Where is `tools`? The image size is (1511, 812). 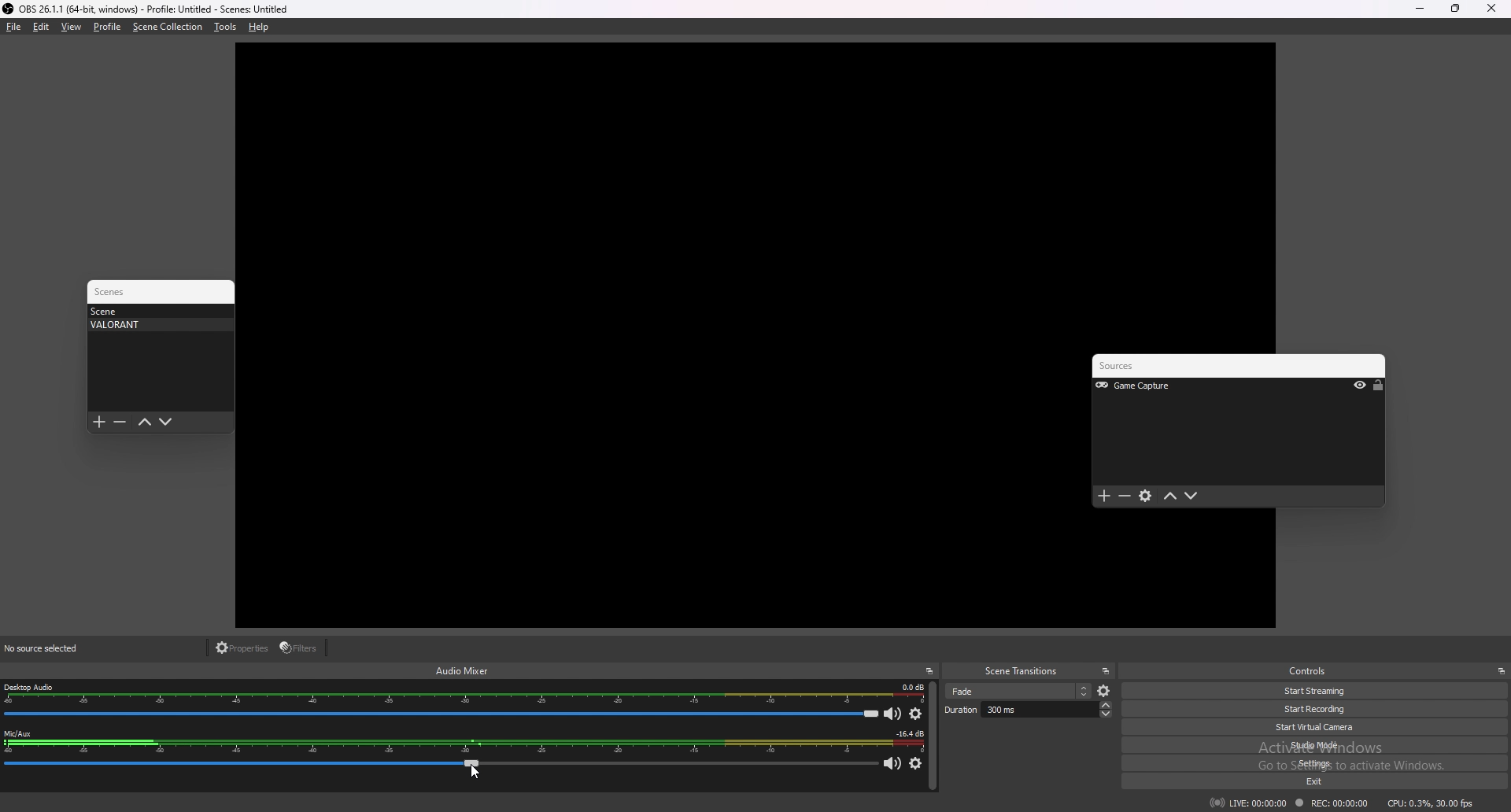 tools is located at coordinates (225, 27).